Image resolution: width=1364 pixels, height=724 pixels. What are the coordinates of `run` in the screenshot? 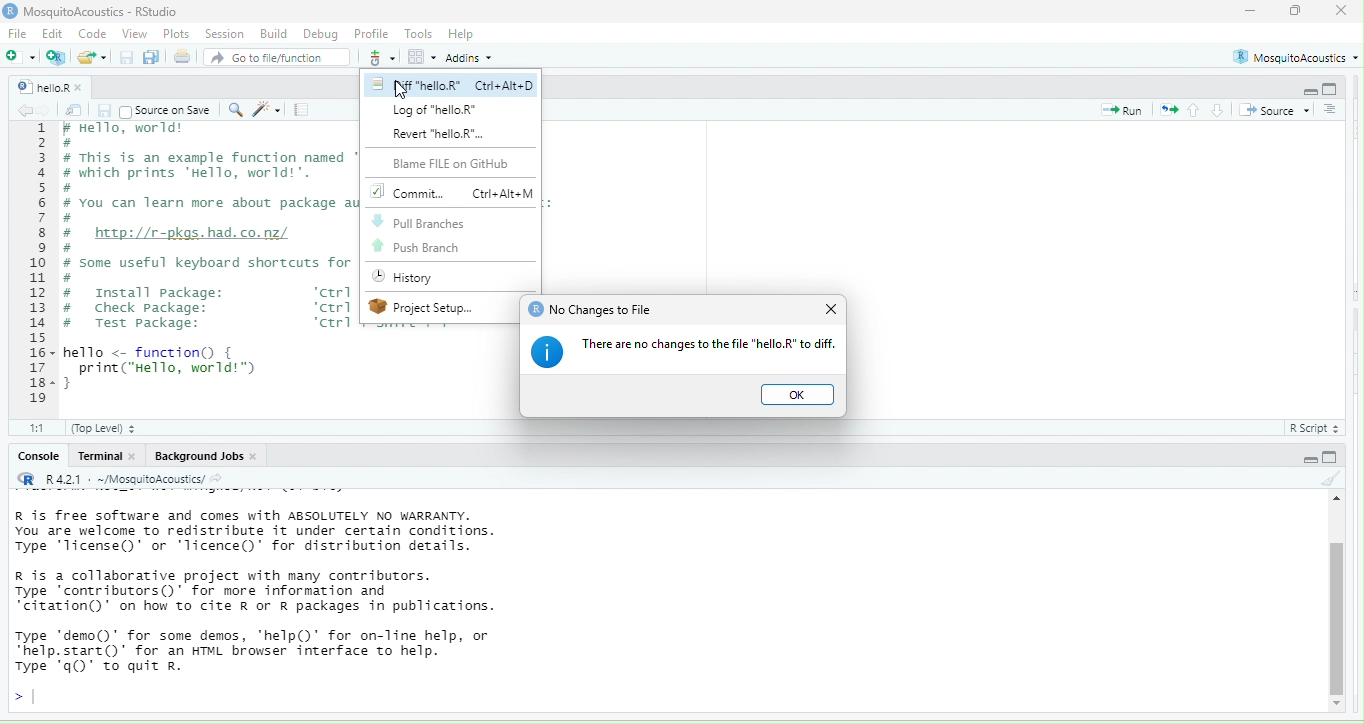 It's located at (1125, 109).